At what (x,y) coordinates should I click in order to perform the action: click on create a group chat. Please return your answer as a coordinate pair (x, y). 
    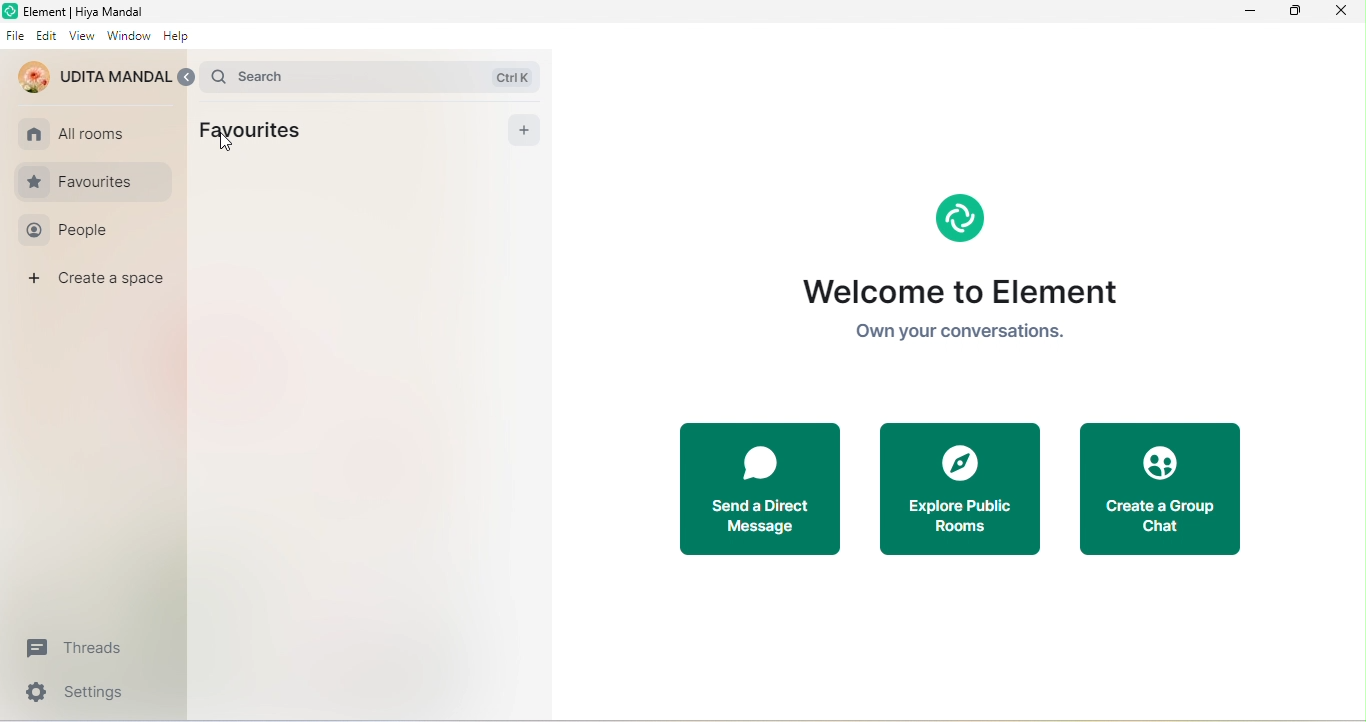
    Looking at the image, I should click on (1168, 491).